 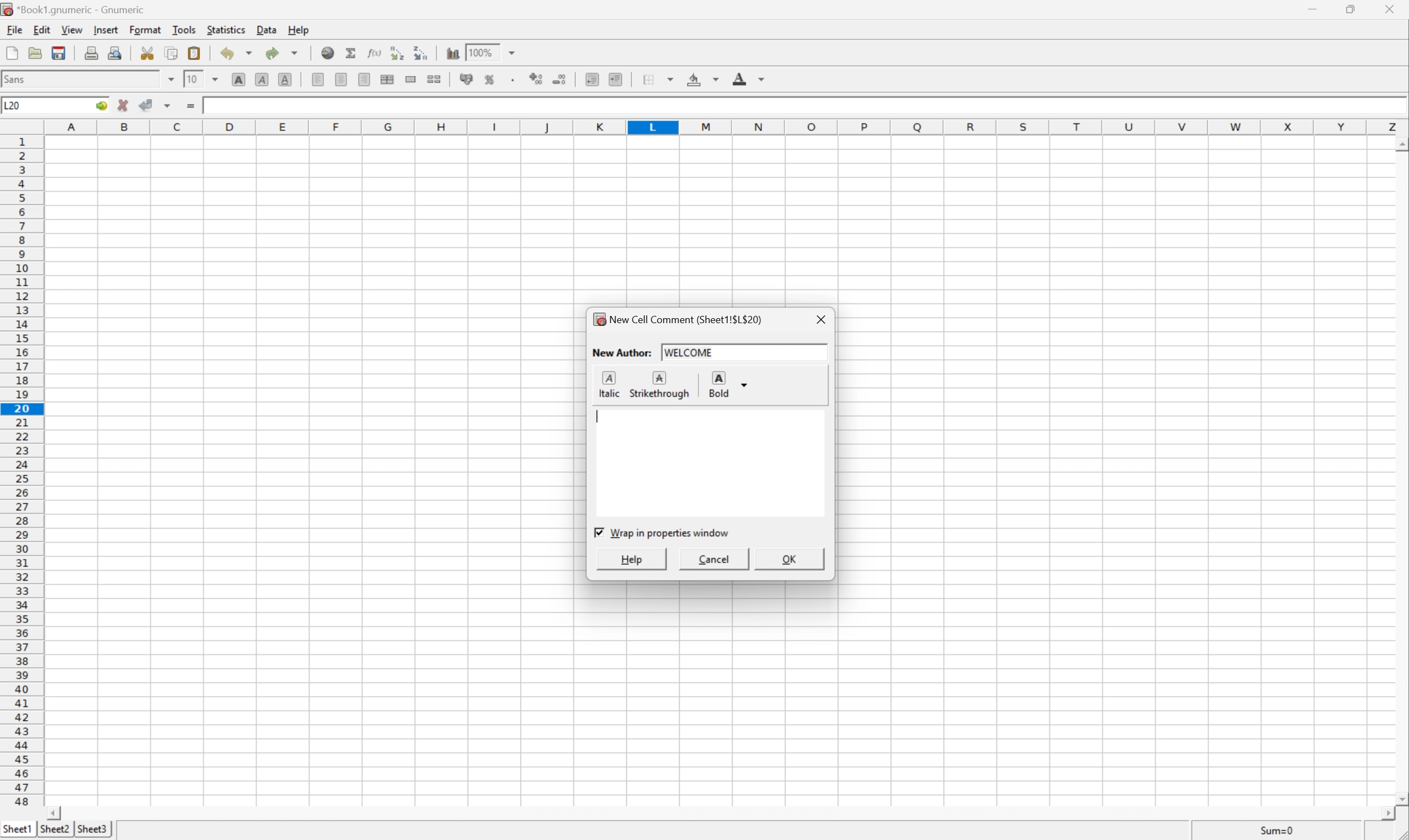 What do you see at coordinates (727, 127) in the screenshot?
I see `Column names` at bounding box center [727, 127].